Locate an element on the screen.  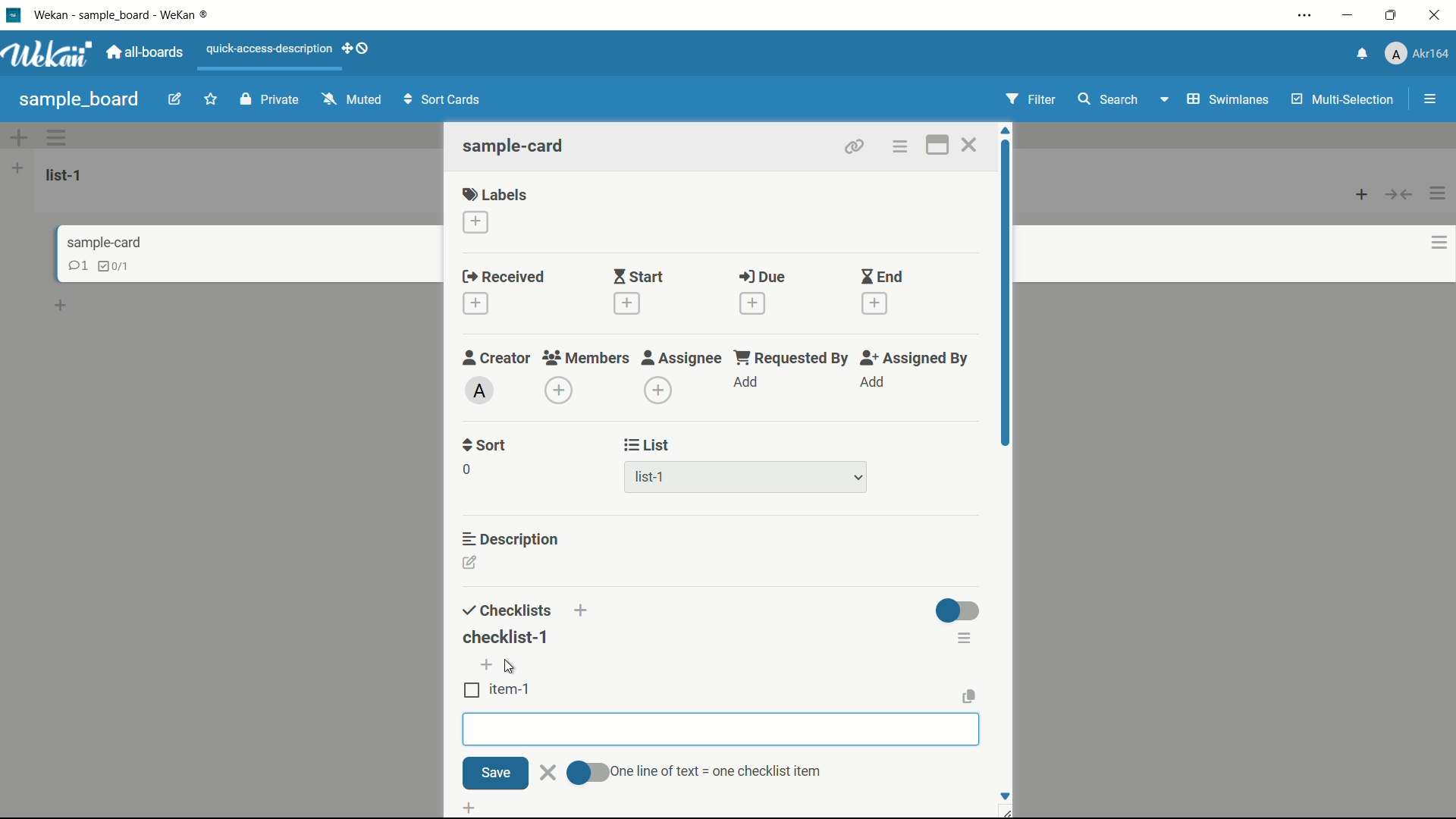
text is located at coordinates (720, 769).